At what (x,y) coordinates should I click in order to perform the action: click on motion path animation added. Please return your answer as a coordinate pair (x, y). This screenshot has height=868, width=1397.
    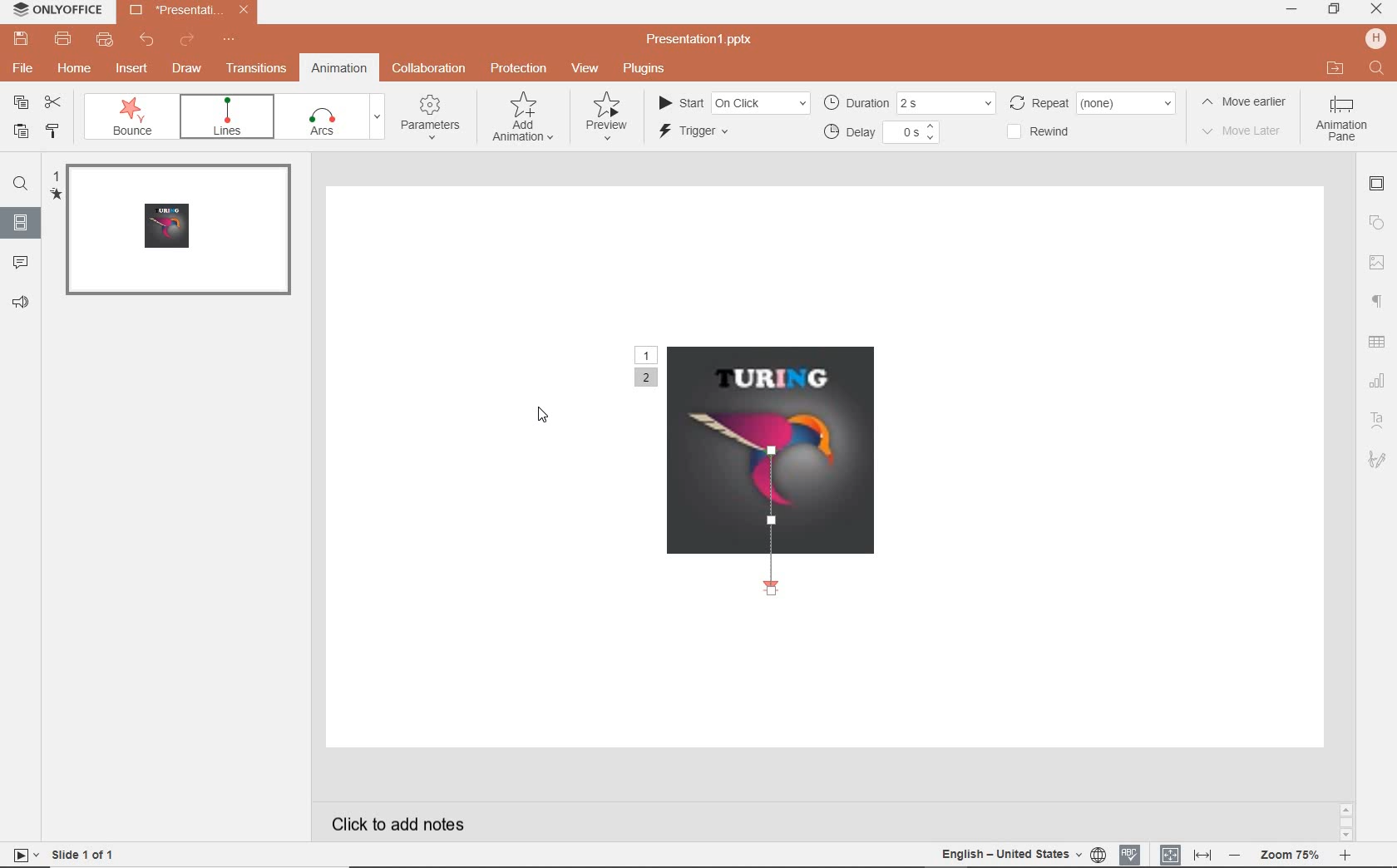
    Looking at the image, I should click on (758, 462).